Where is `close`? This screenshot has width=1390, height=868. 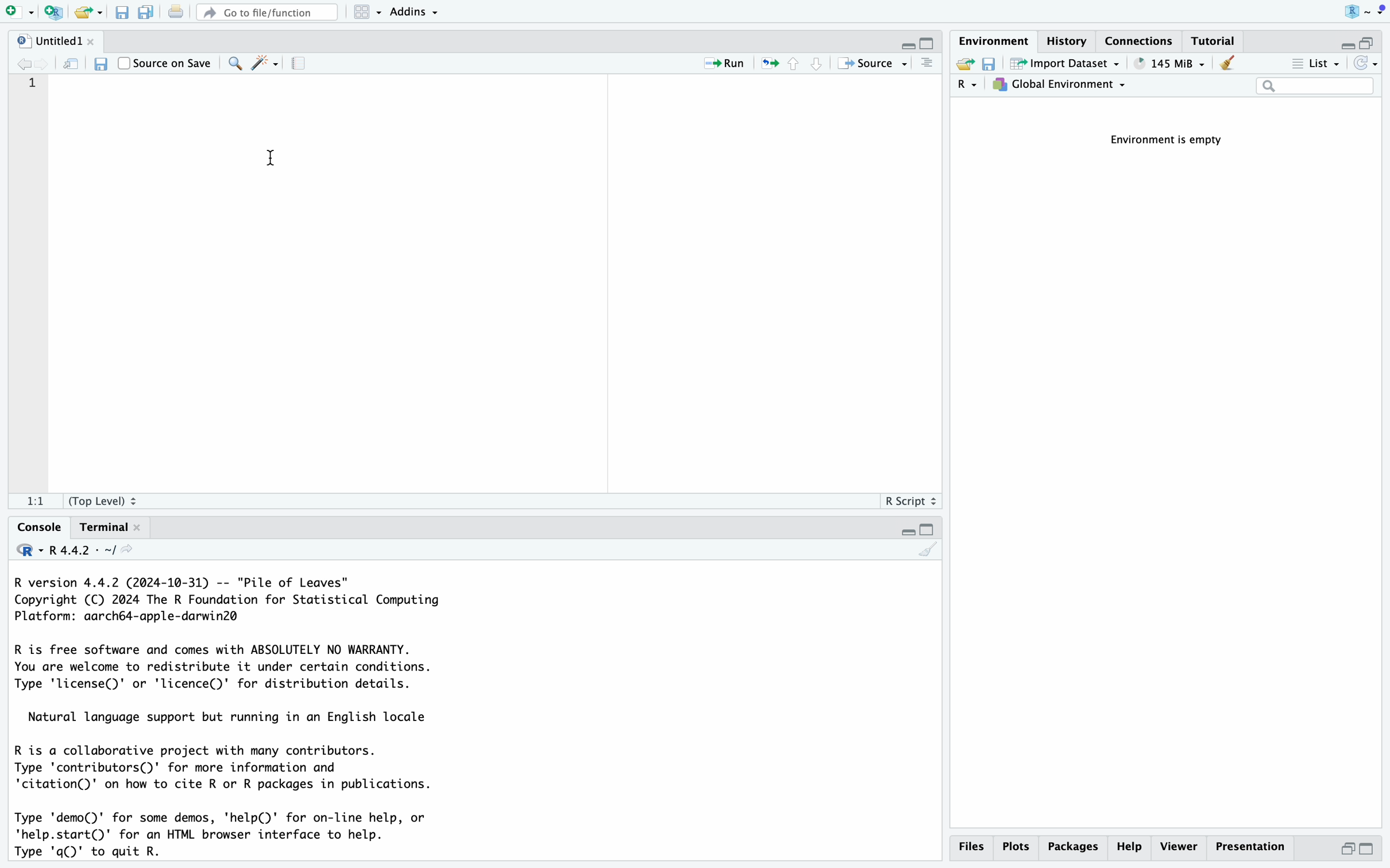 close is located at coordinates (146, 527).